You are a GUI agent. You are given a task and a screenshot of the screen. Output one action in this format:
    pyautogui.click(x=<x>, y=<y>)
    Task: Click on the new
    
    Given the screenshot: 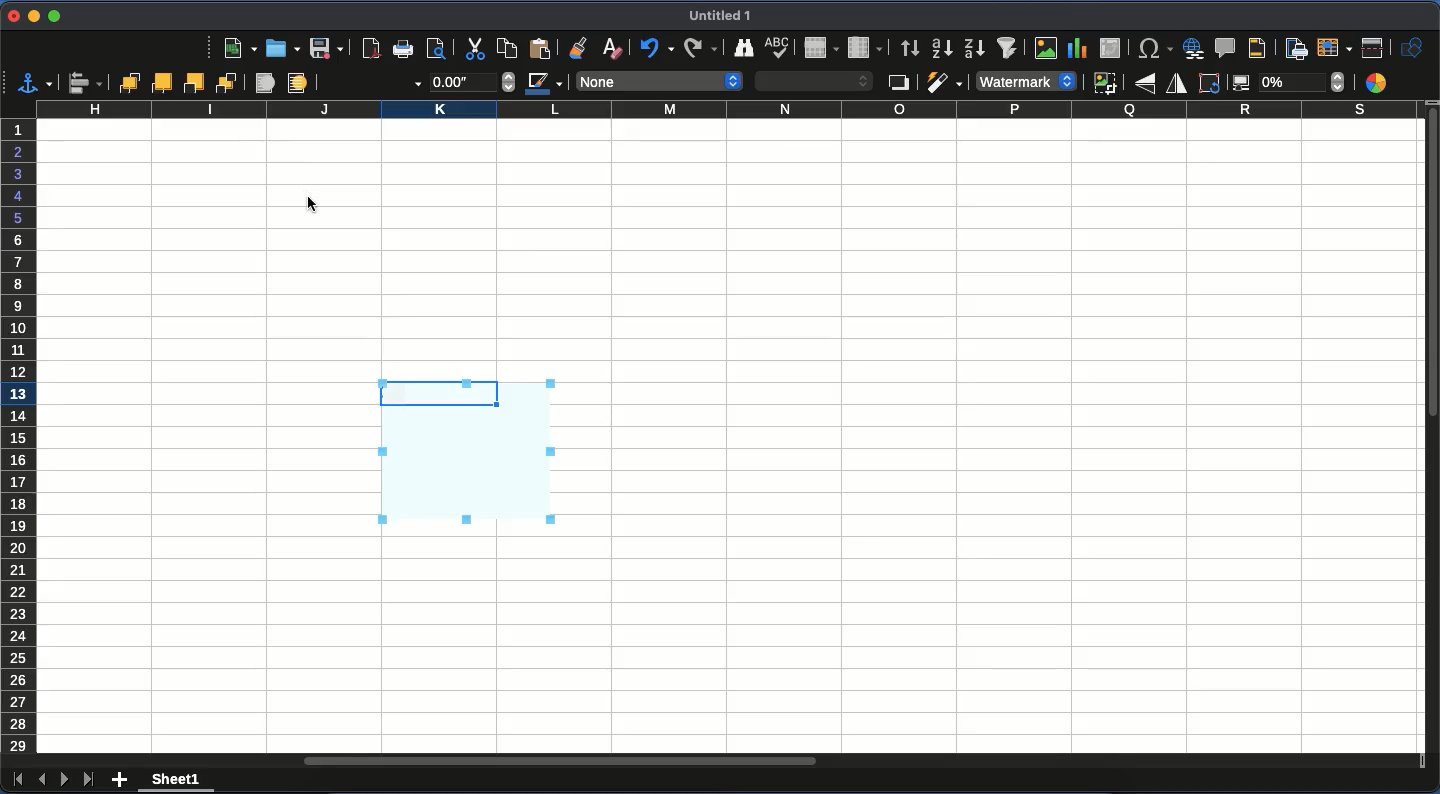 What is the action you would take?
    pyautogui.click(x=238, y=49)
    